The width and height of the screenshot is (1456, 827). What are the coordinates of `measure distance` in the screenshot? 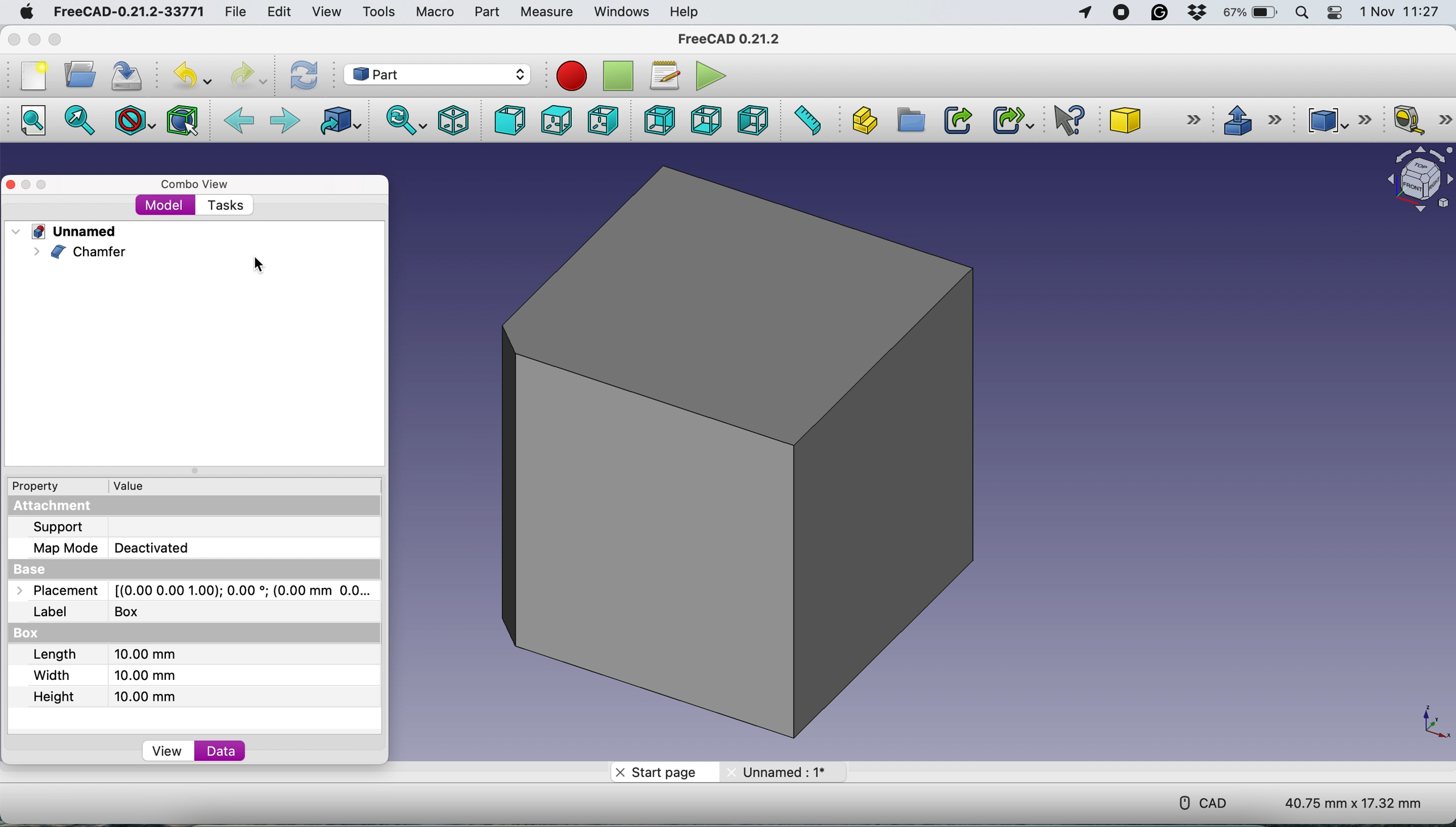 It's located at (808, 120).